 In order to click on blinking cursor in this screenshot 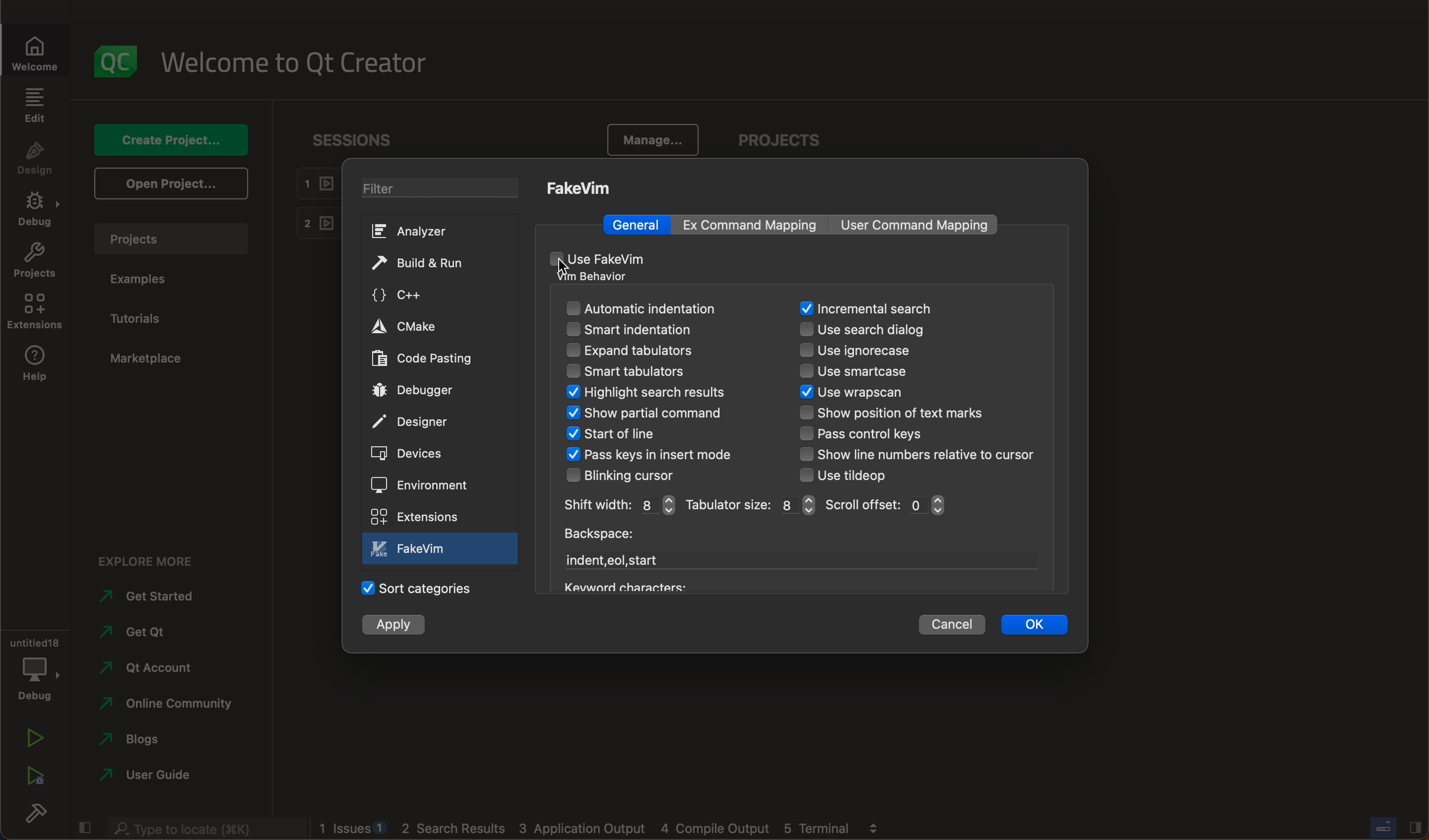, I will do `click(629, 476)`.